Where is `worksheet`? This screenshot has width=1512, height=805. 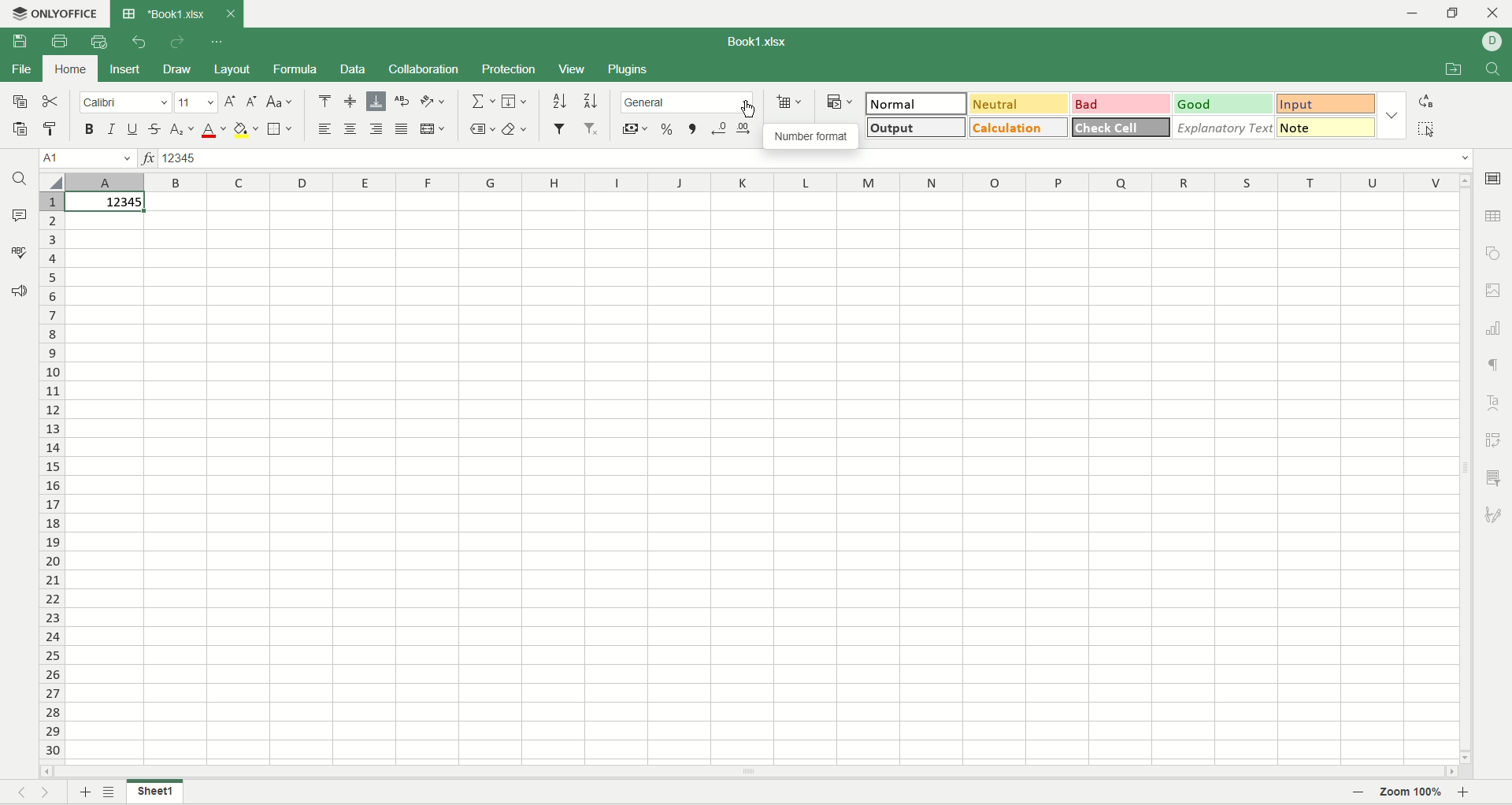
worksheet is located at coordinates (762, 476).